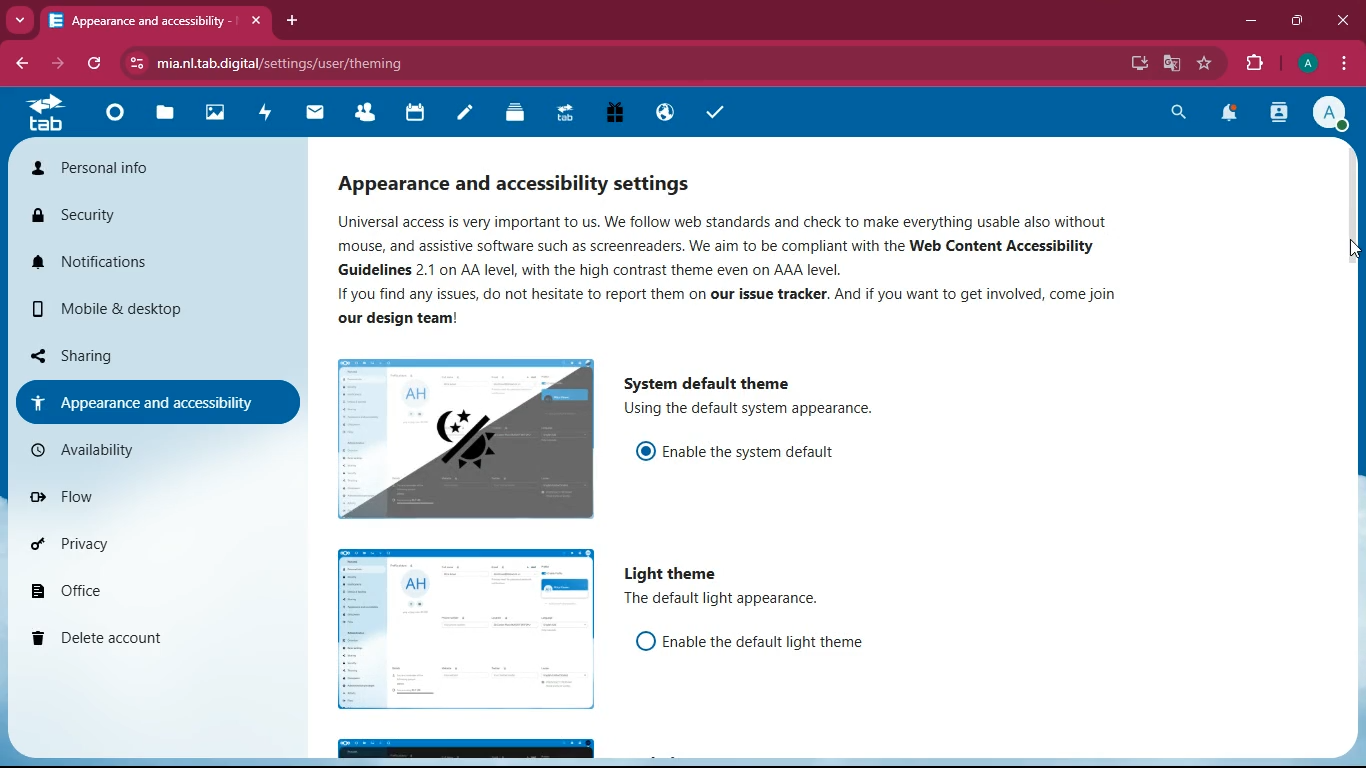 This screenshot has width=1366, height=768. Describe the element at coordinates (1205, 64) in the screenshot. I see `favourite` at that location.